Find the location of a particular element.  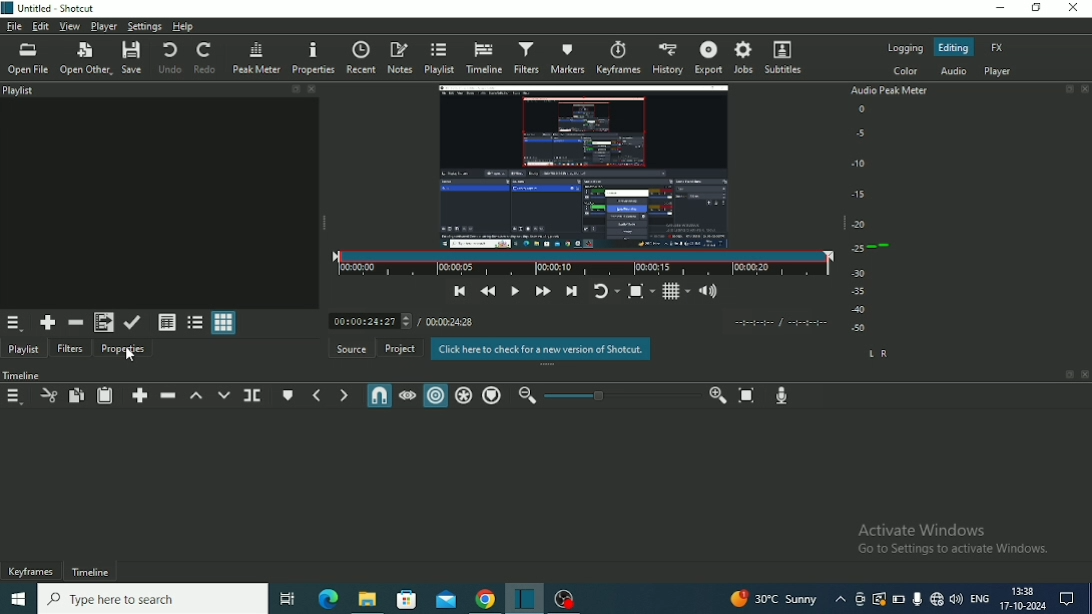

Peak Meter is located at coordinates (256, 57).